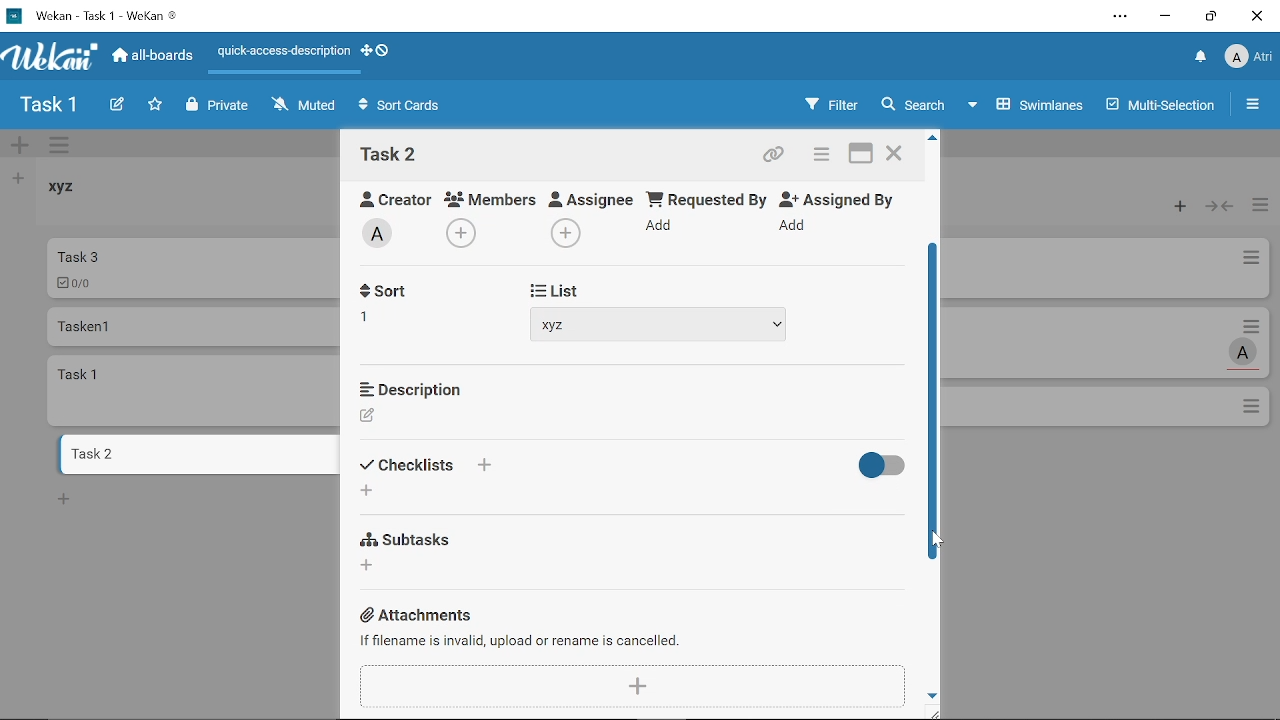 This screenshot has height=720, width=1280. I want to click on Start, so click(549, 288).